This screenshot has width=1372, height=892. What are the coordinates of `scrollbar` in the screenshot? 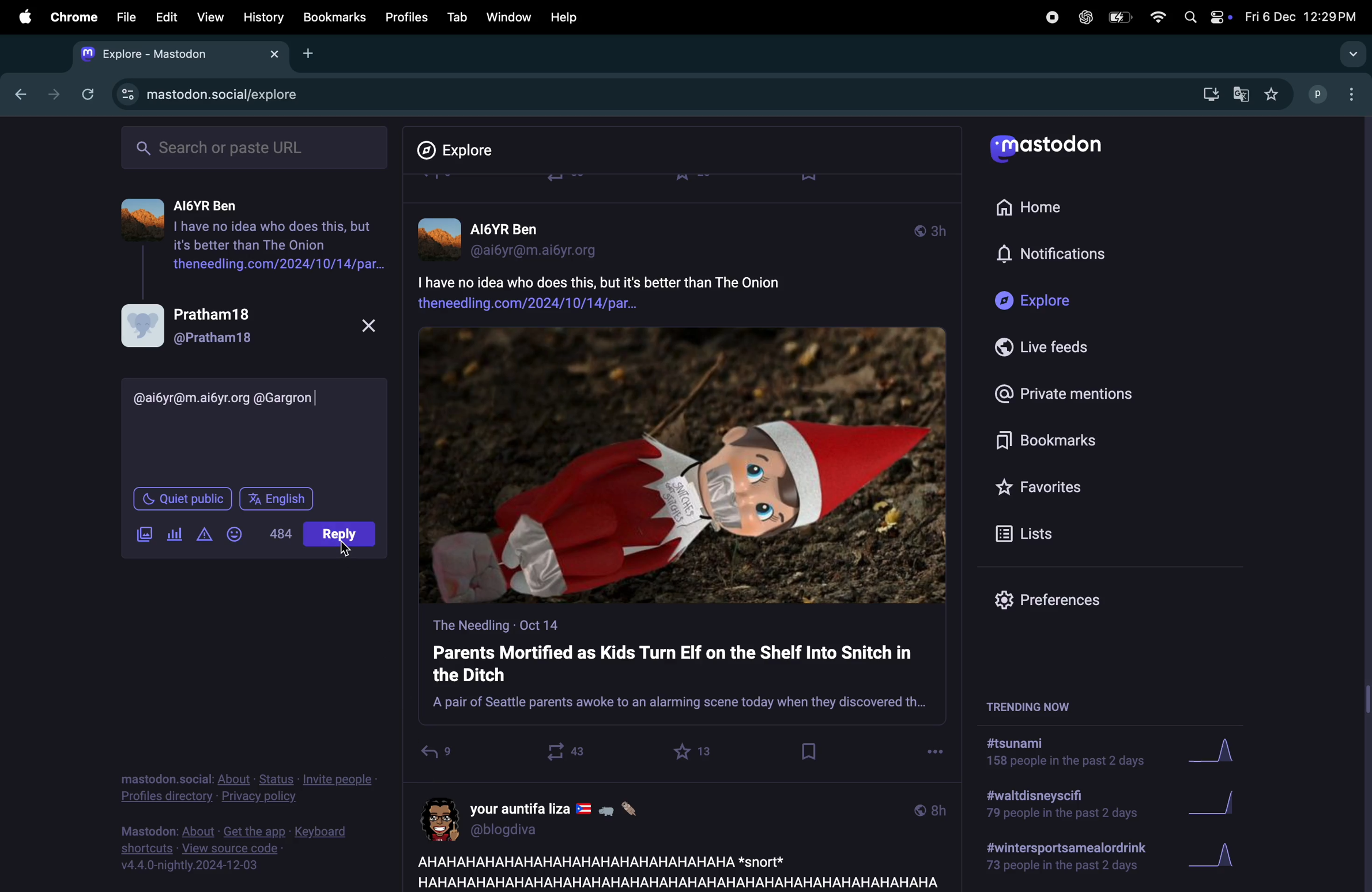 It's located at (1363, 502).